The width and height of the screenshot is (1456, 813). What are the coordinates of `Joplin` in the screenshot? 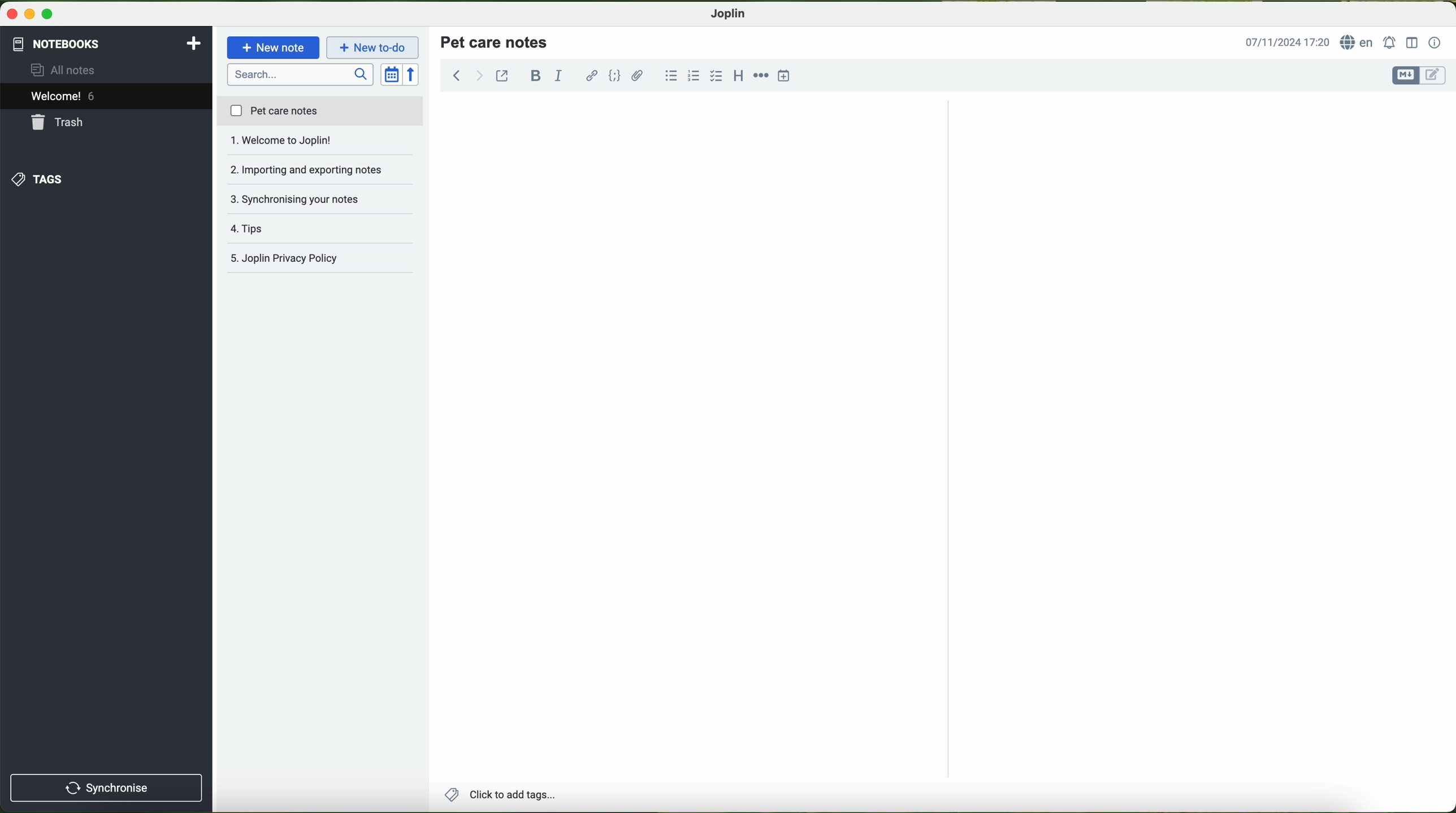 It's located at (729, 12).